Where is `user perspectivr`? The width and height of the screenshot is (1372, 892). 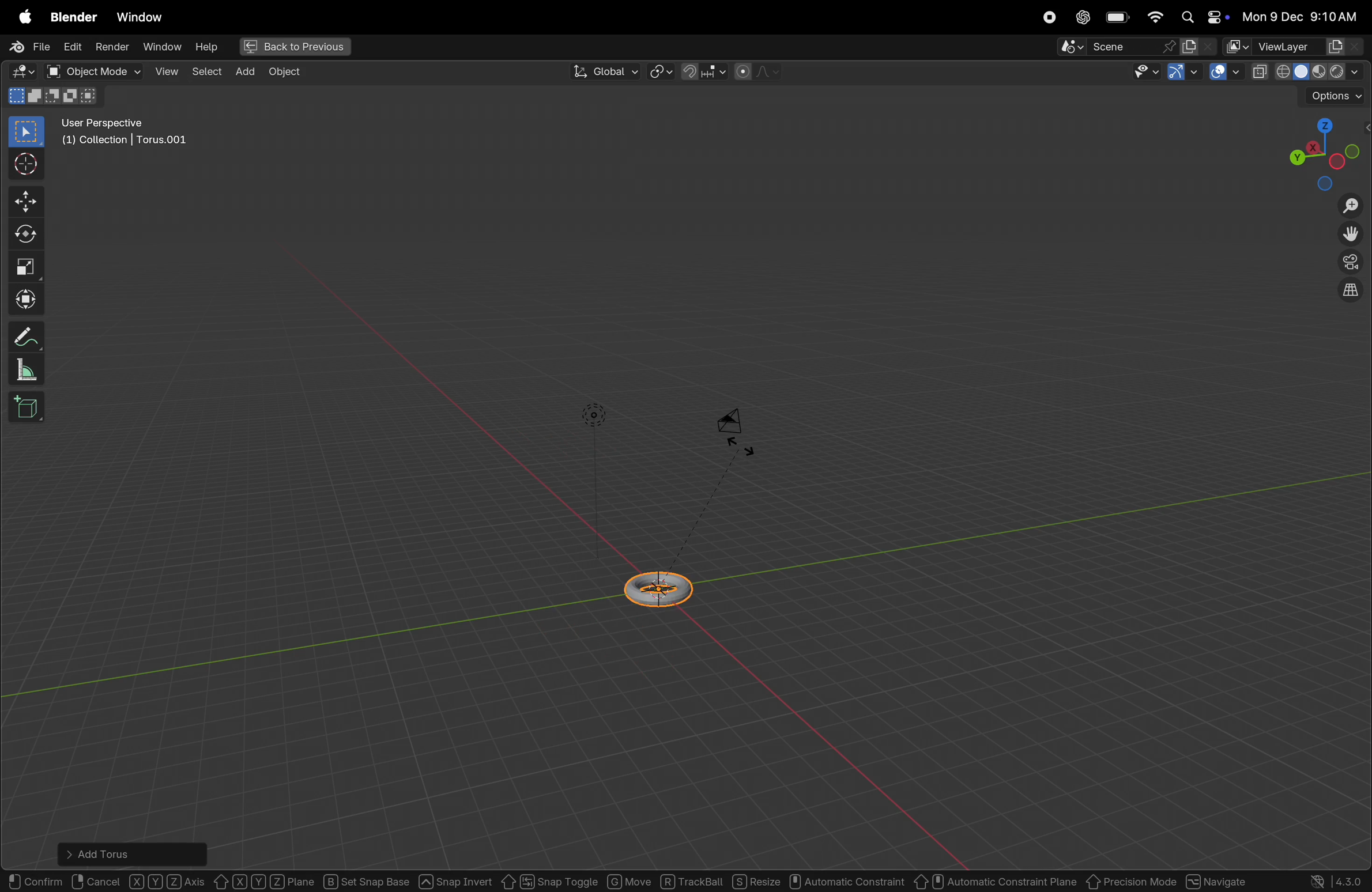
user perspectivr is located at coordinates (127, 134).